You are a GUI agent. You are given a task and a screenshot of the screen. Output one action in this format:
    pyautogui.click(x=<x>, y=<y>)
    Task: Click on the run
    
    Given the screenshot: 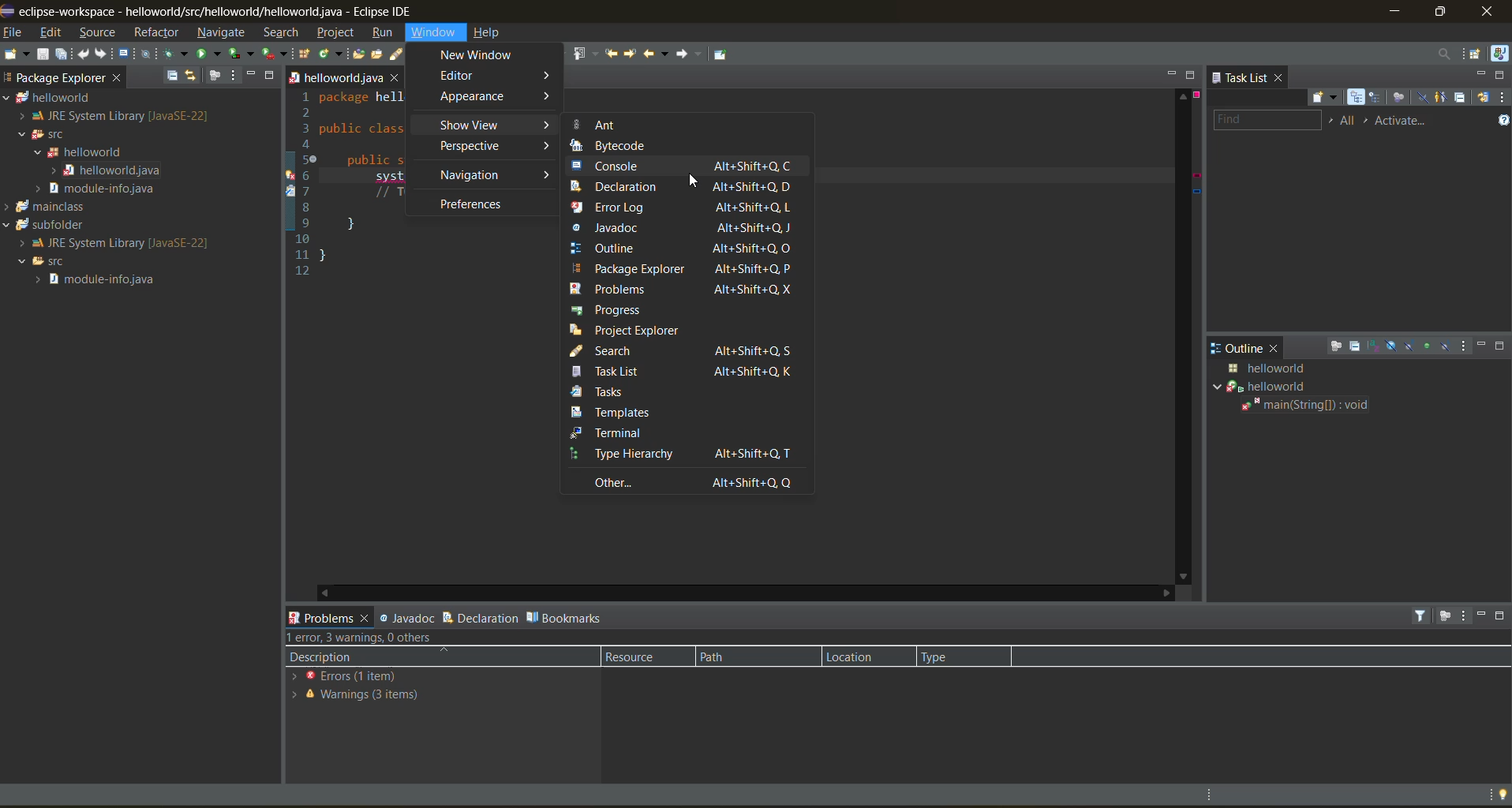 What is the action you would take?
    pyautogui.click(x=210, y=54)
    